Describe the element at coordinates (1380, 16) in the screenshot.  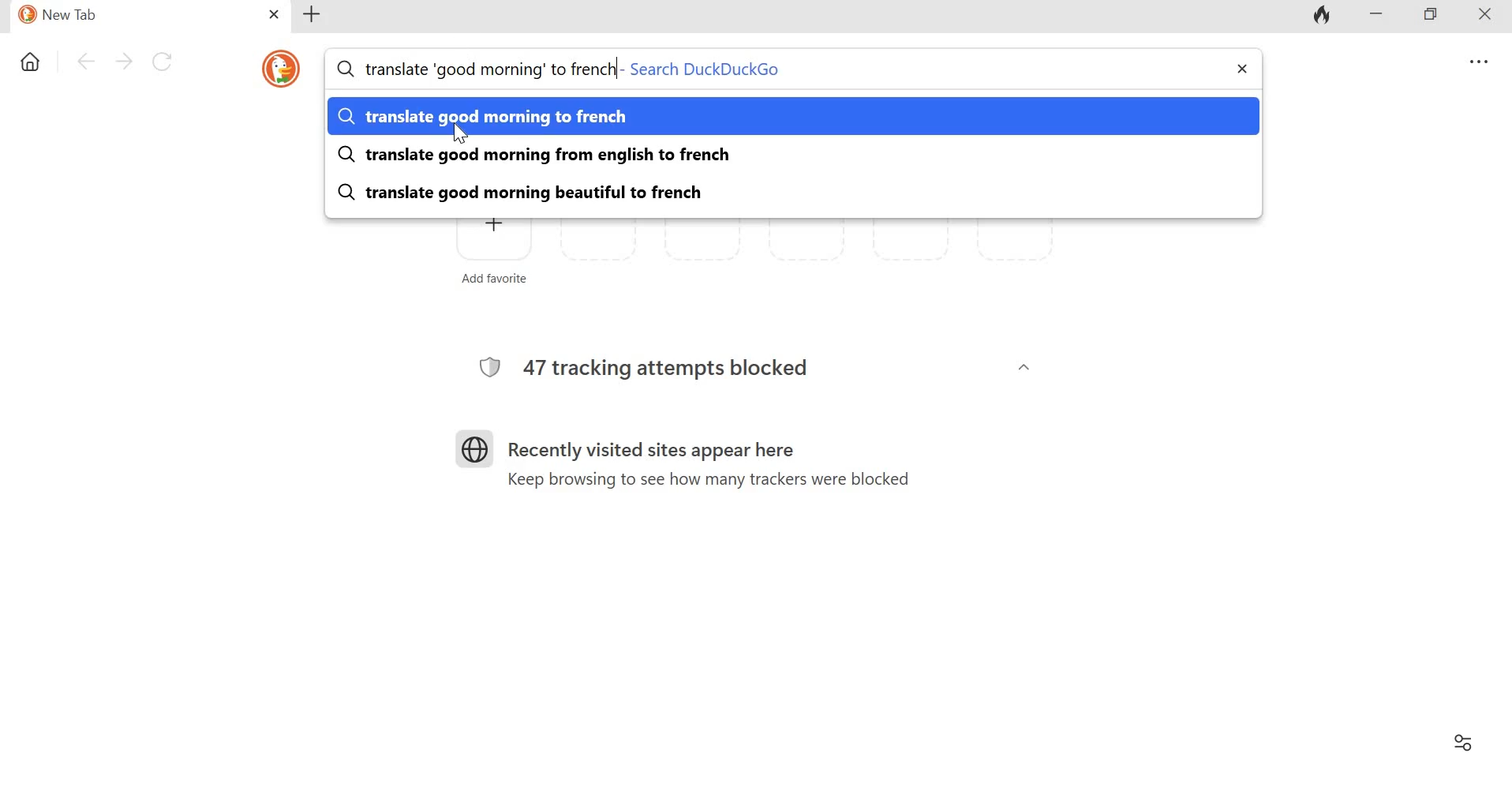
I see `Minimize` at that location.